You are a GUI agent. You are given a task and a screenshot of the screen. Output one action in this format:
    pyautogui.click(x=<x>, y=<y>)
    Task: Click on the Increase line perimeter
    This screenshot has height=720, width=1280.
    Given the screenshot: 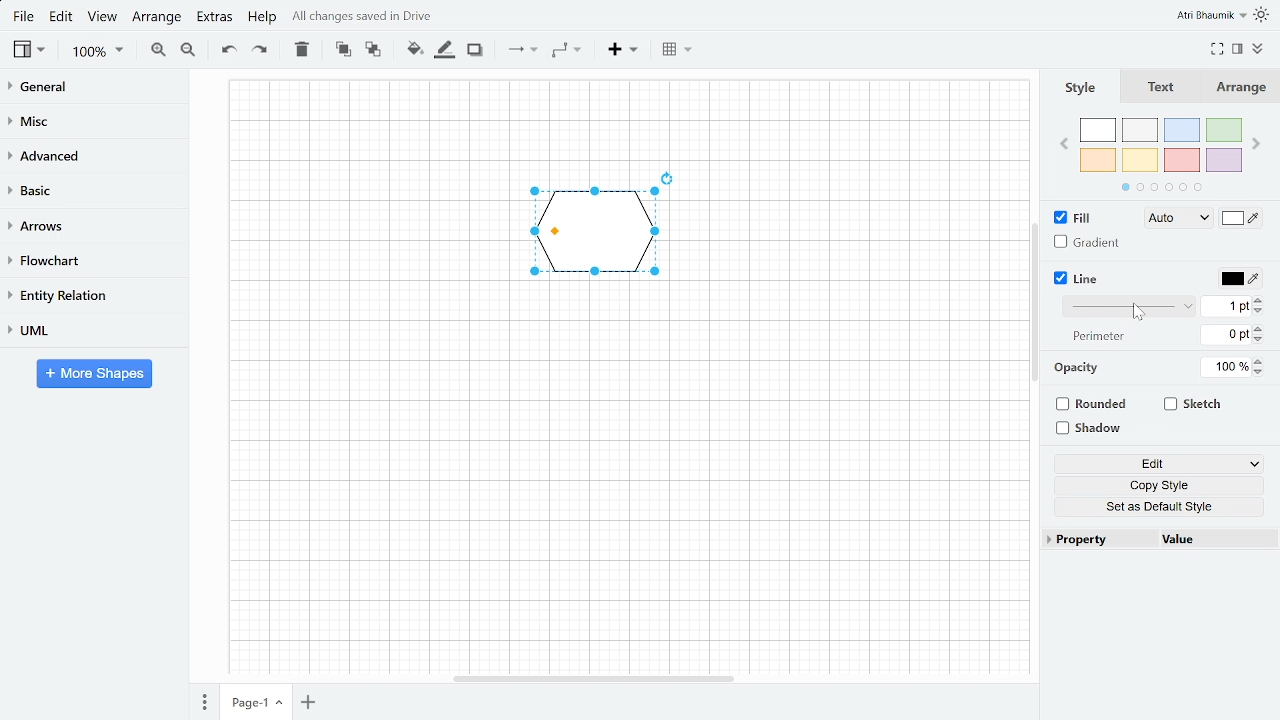 What is the action you would take?
    pyautogui.click(x=1259, y=328)
    